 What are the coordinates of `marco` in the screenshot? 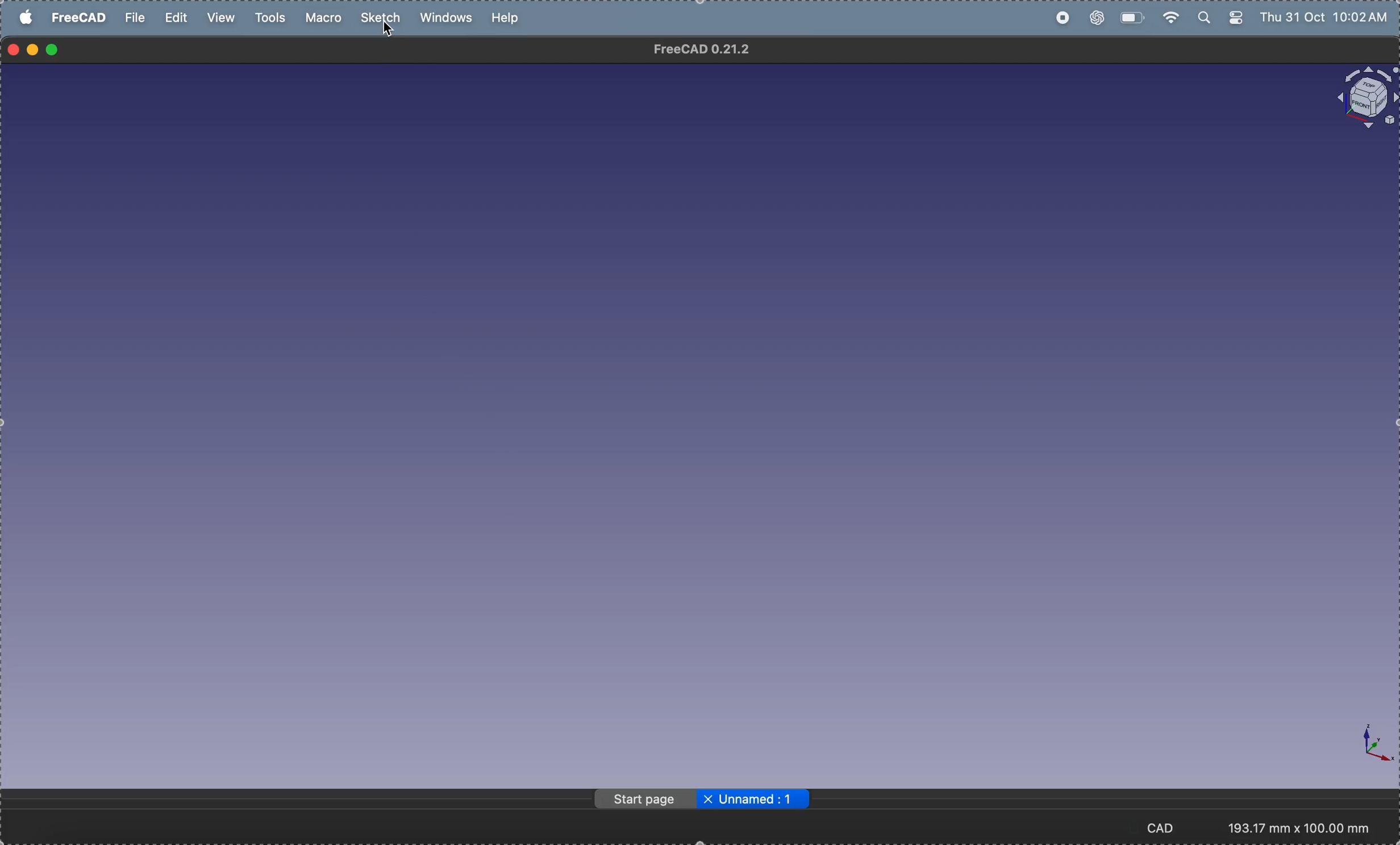 It's located at (327, 18).